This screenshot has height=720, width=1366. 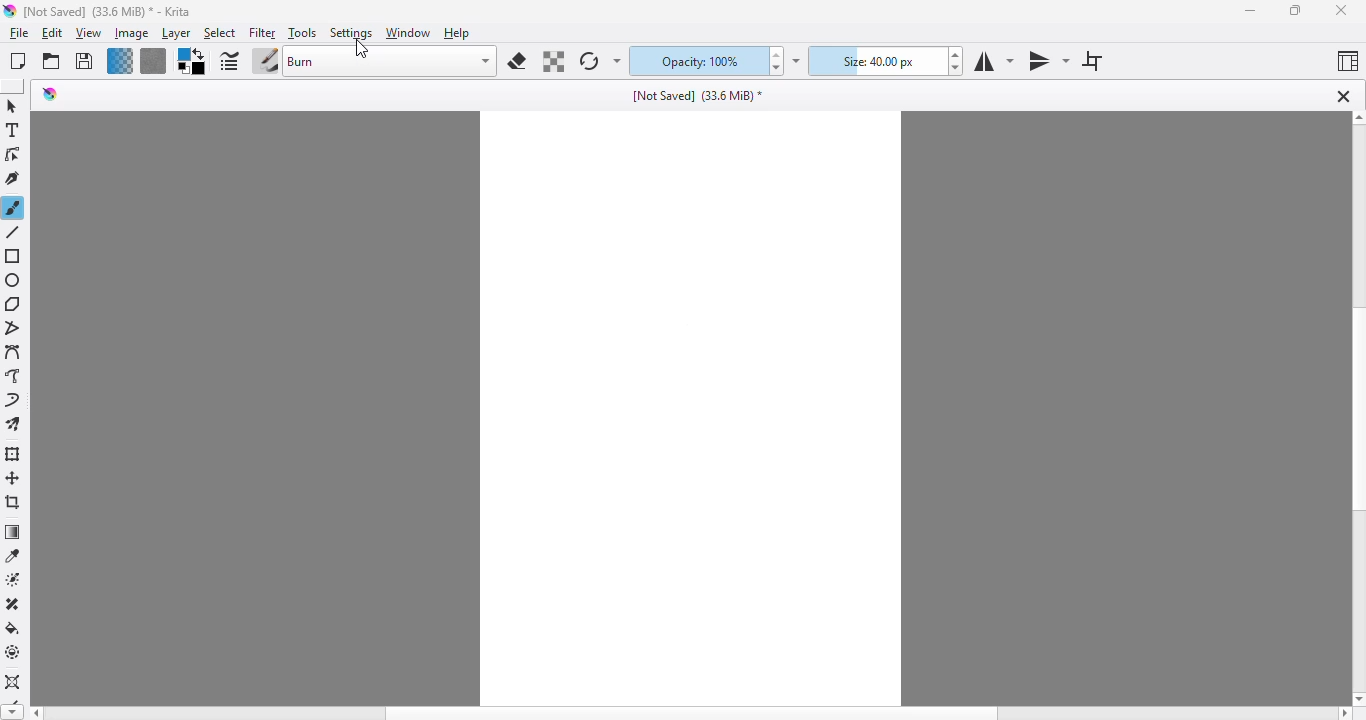 I want to click on text tool, so click(x=12, y=130).